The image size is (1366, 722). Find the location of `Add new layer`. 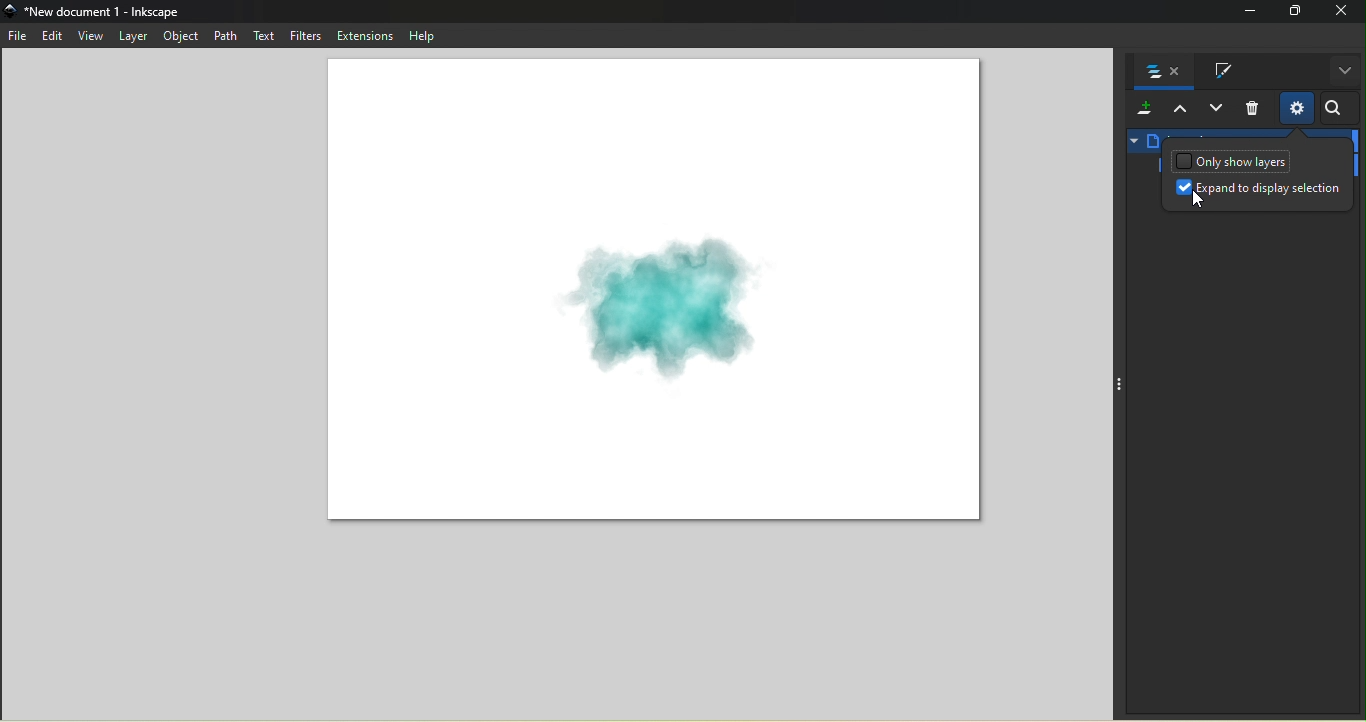

Add new layer is located at coordinates (1142, 110).